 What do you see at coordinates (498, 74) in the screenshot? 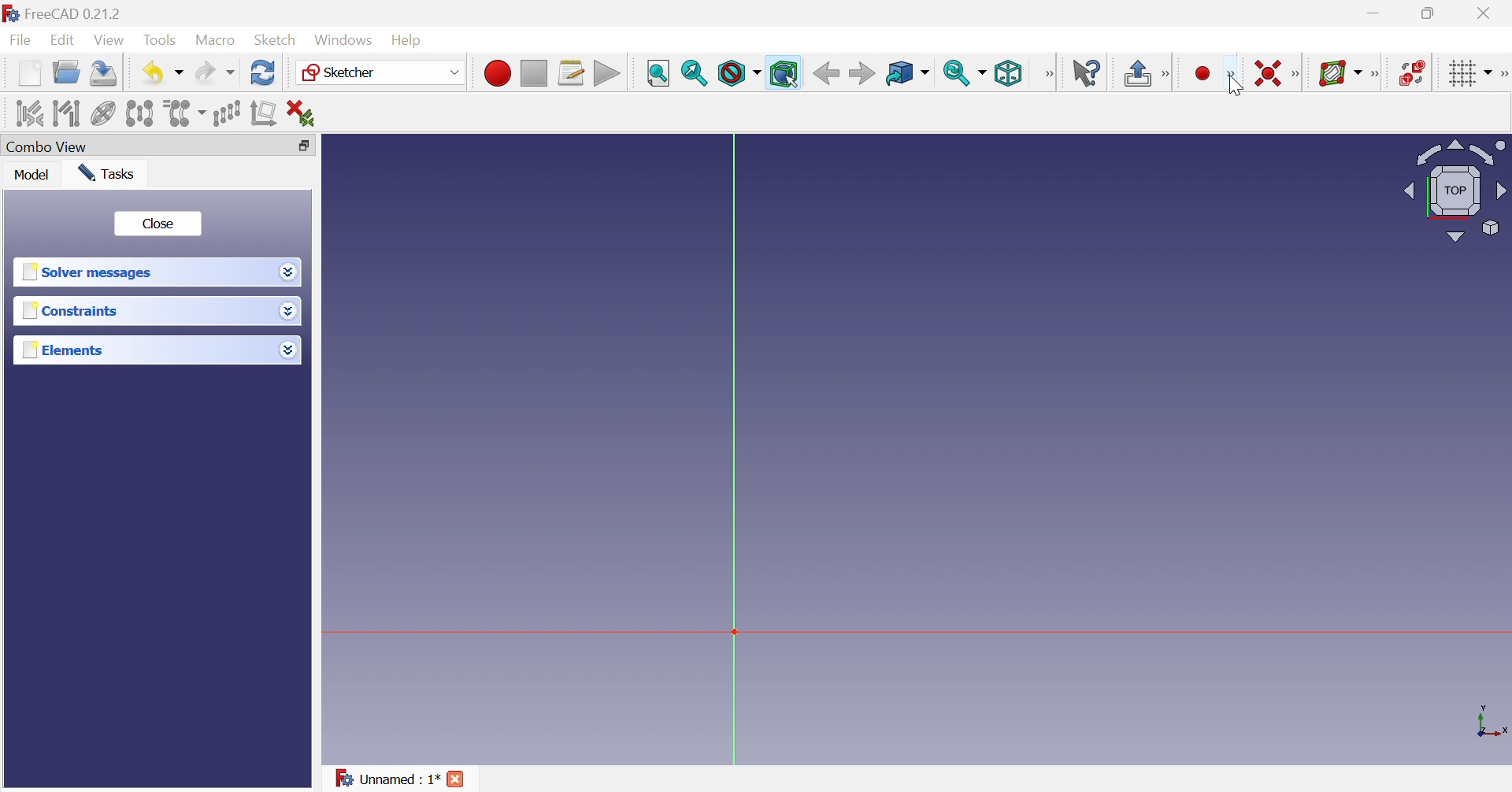
I see `Macro recording...` at bounding box center [498, 74].